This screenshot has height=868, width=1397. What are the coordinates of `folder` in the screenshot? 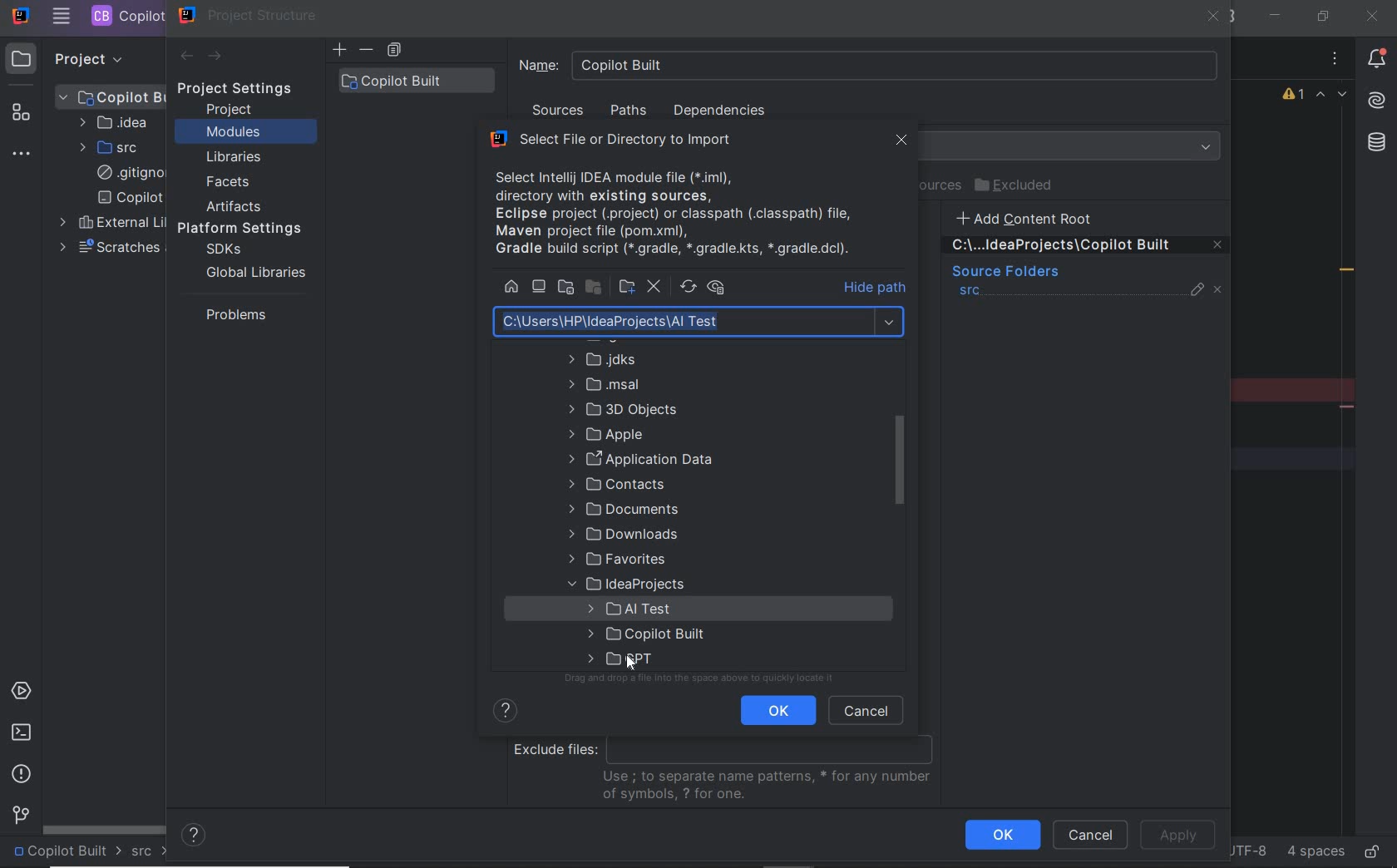 It's located at (624, 508).